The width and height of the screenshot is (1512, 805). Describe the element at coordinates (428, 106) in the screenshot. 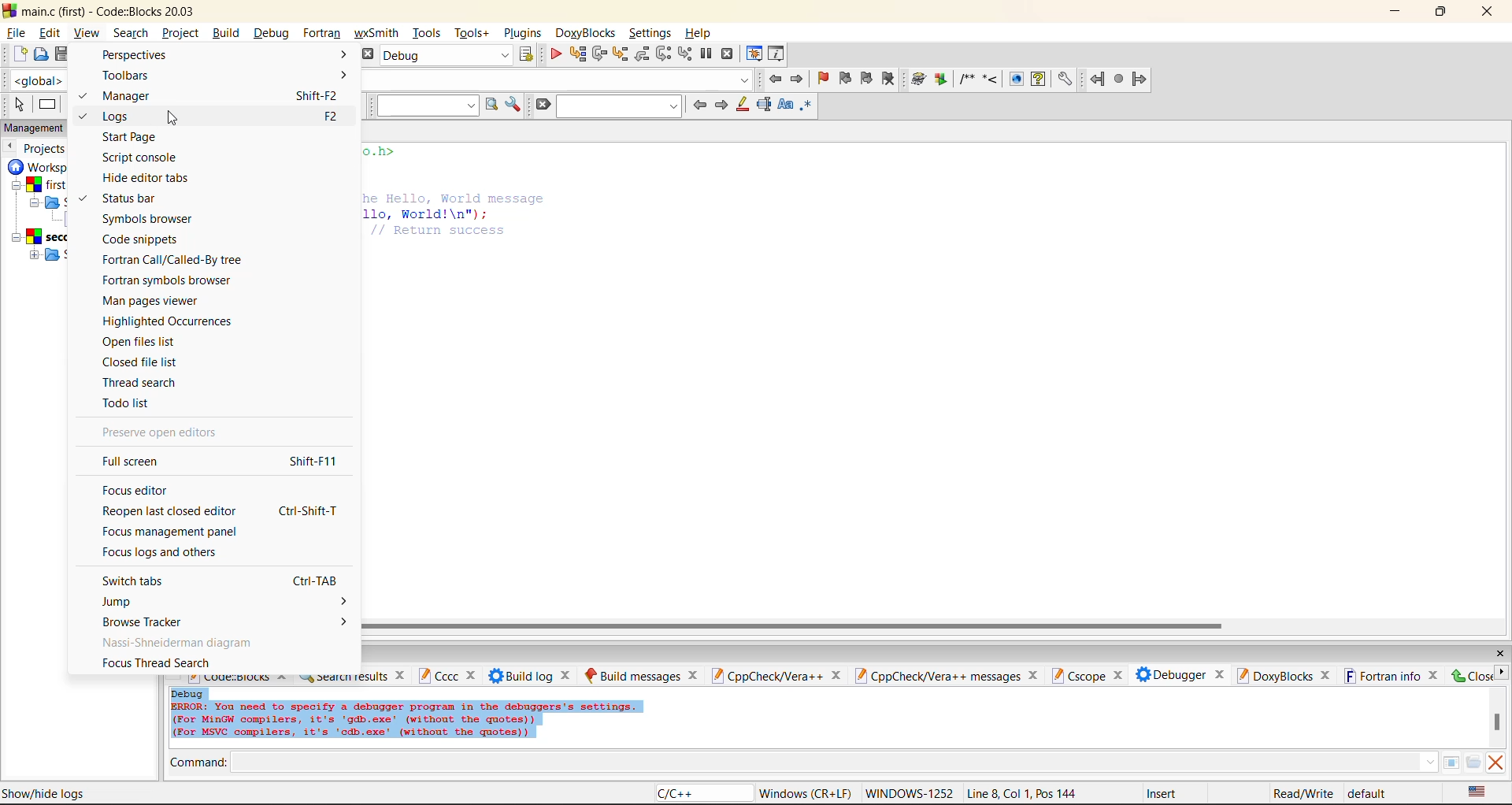

I see `text to search` at that location.